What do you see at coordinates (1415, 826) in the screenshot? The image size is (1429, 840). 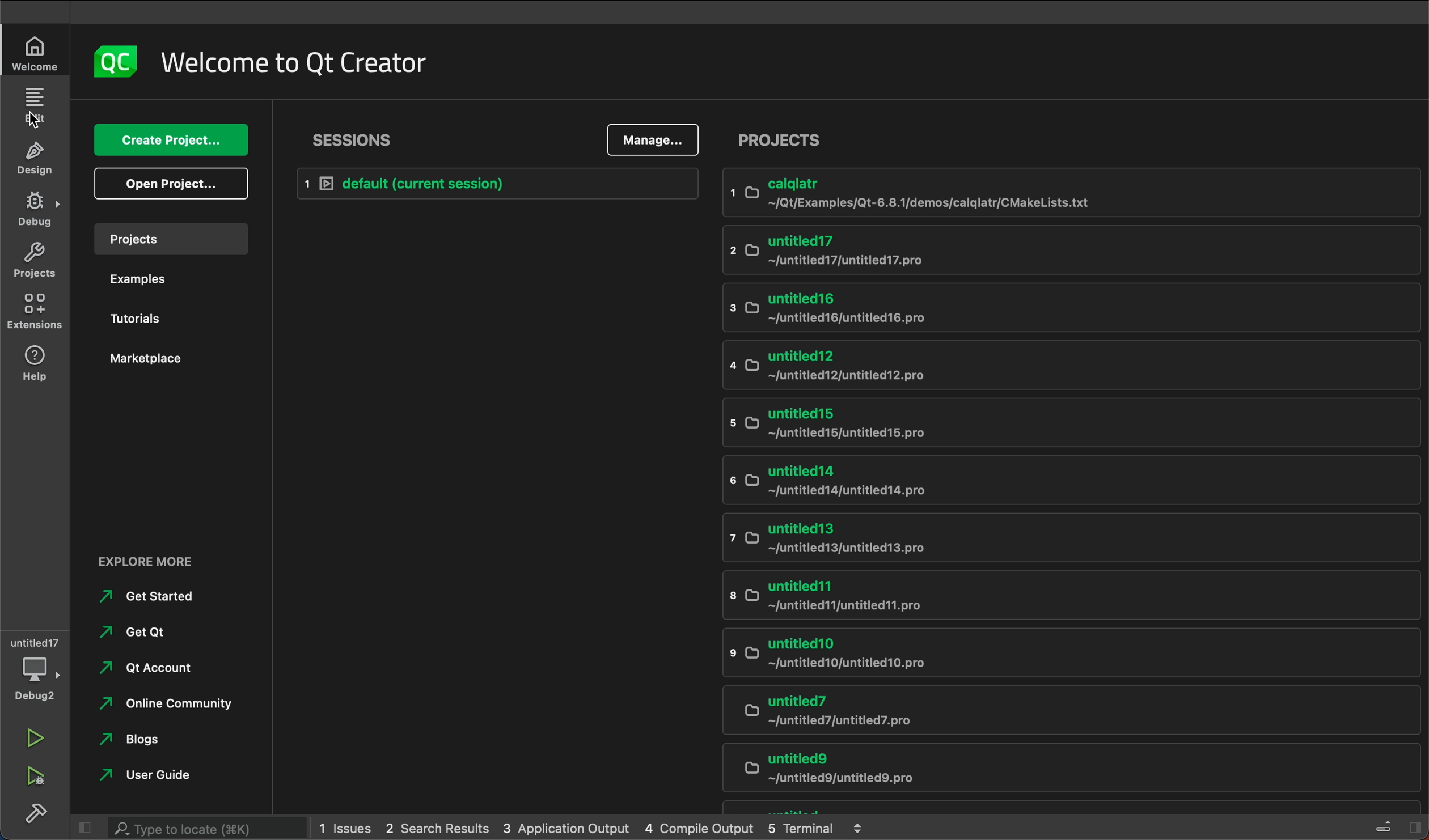 I see `show right sidebar` at bounding box center [1415, 826].